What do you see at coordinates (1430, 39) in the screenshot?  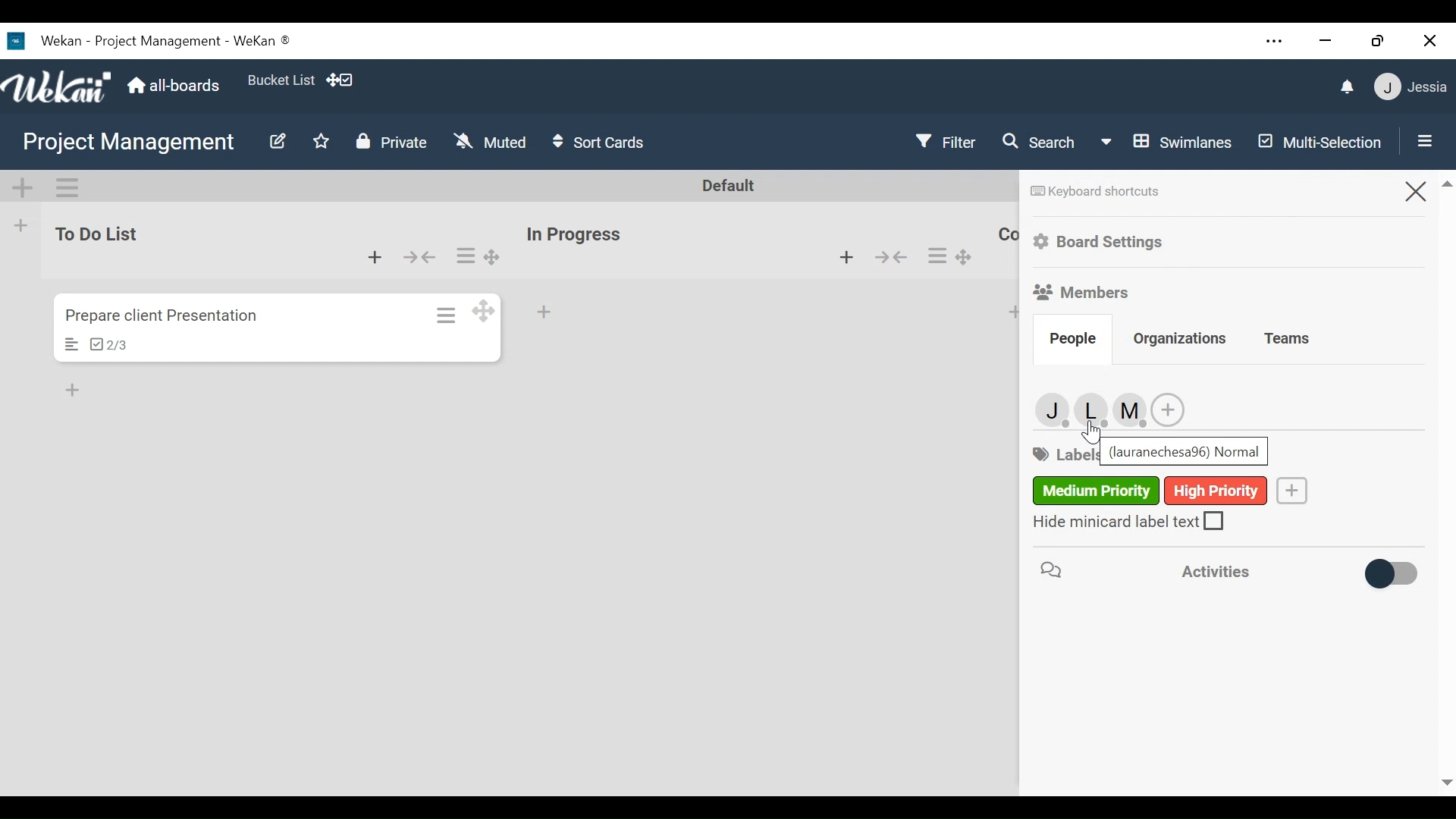 I see `Close` at bounding box center [1430, 39].